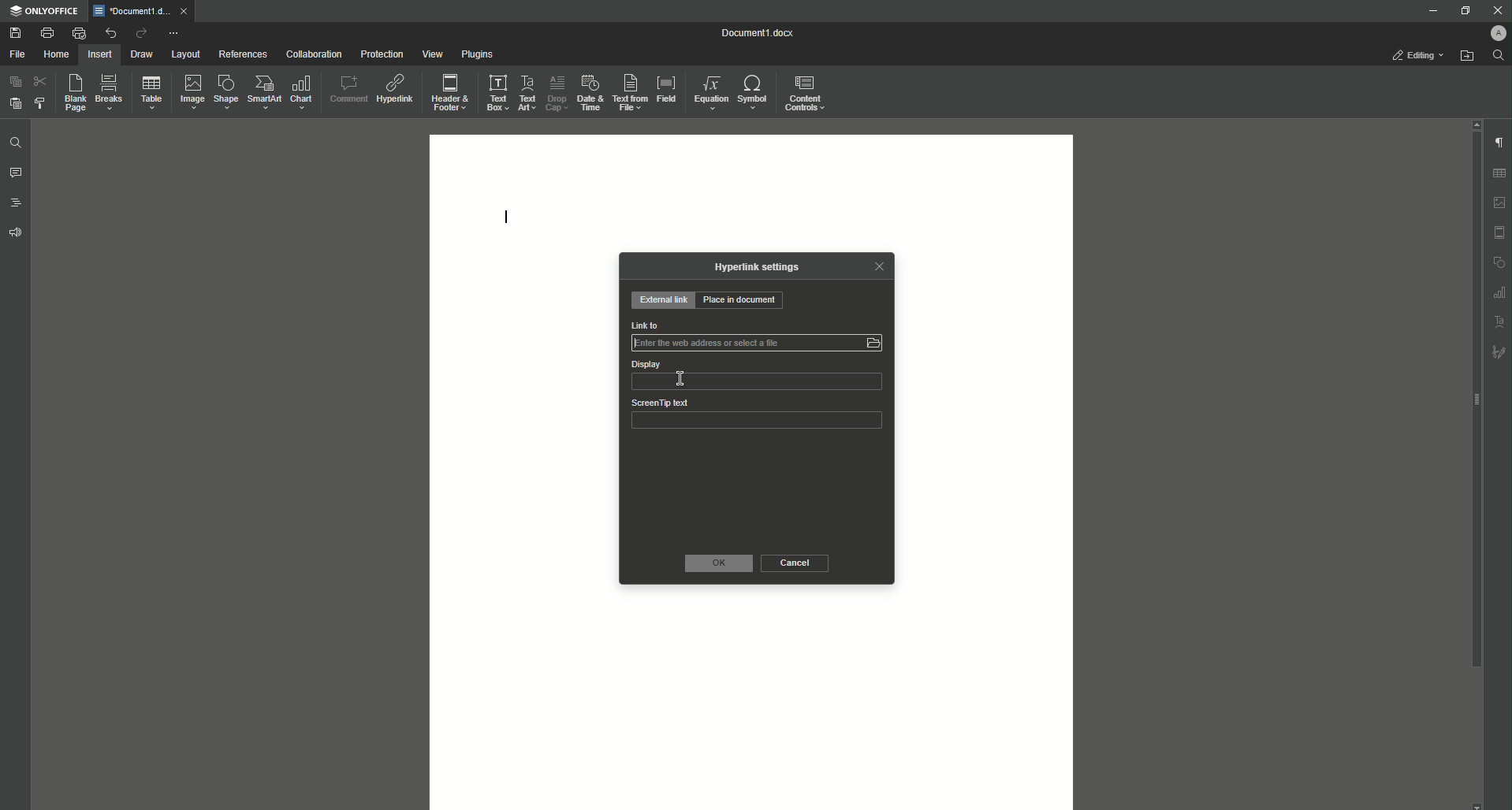 This screenshot has width=1512, height=810. What do you see at coordinates (1413, 54) in the screenshot?
I see `Editing` at bounding box center [1413, 54].